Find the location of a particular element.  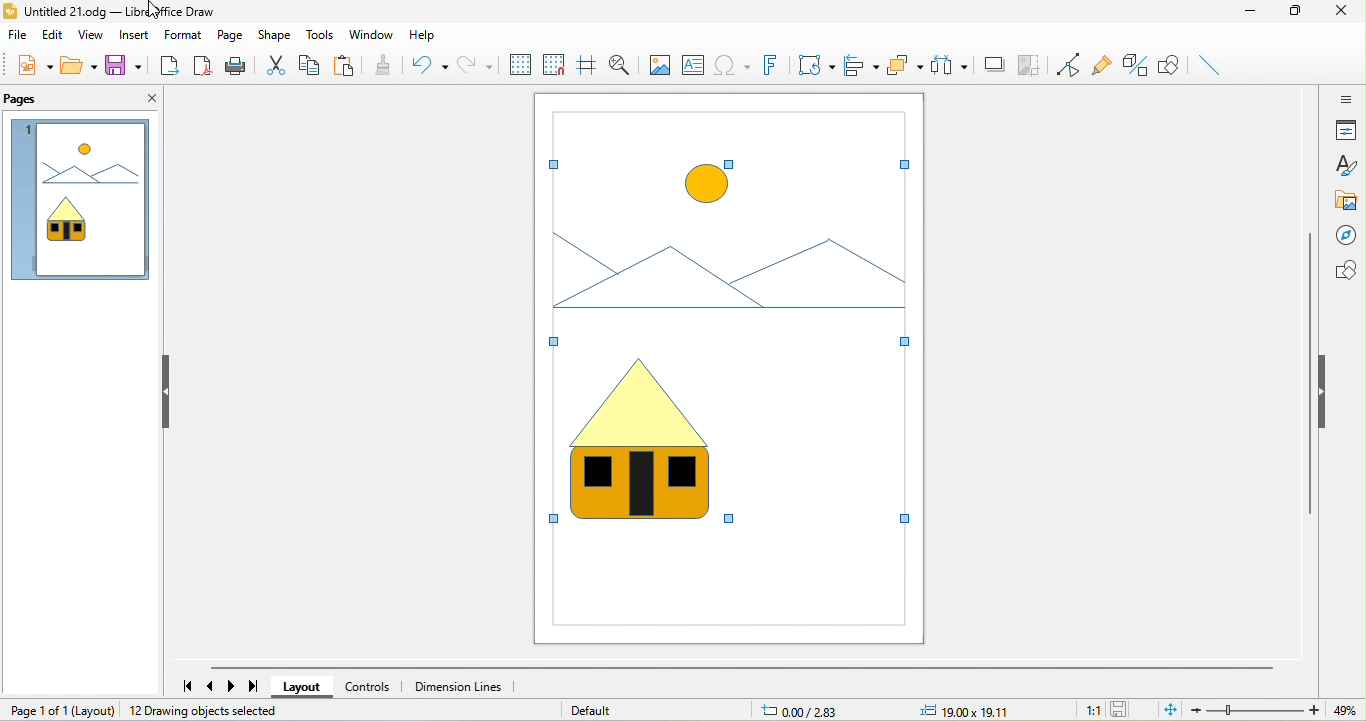

pages is located at coordinates (33, 101).